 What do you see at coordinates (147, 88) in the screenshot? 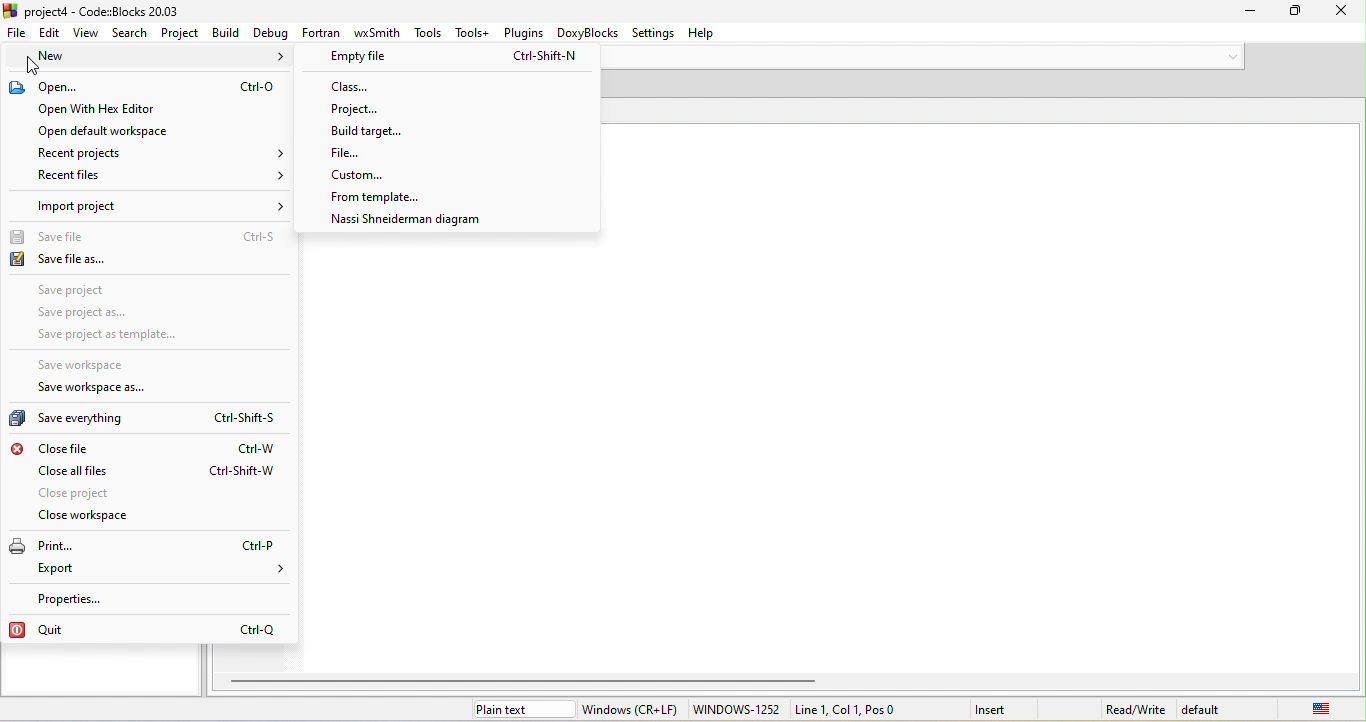
I see `open` at bounding box center [147, 88].